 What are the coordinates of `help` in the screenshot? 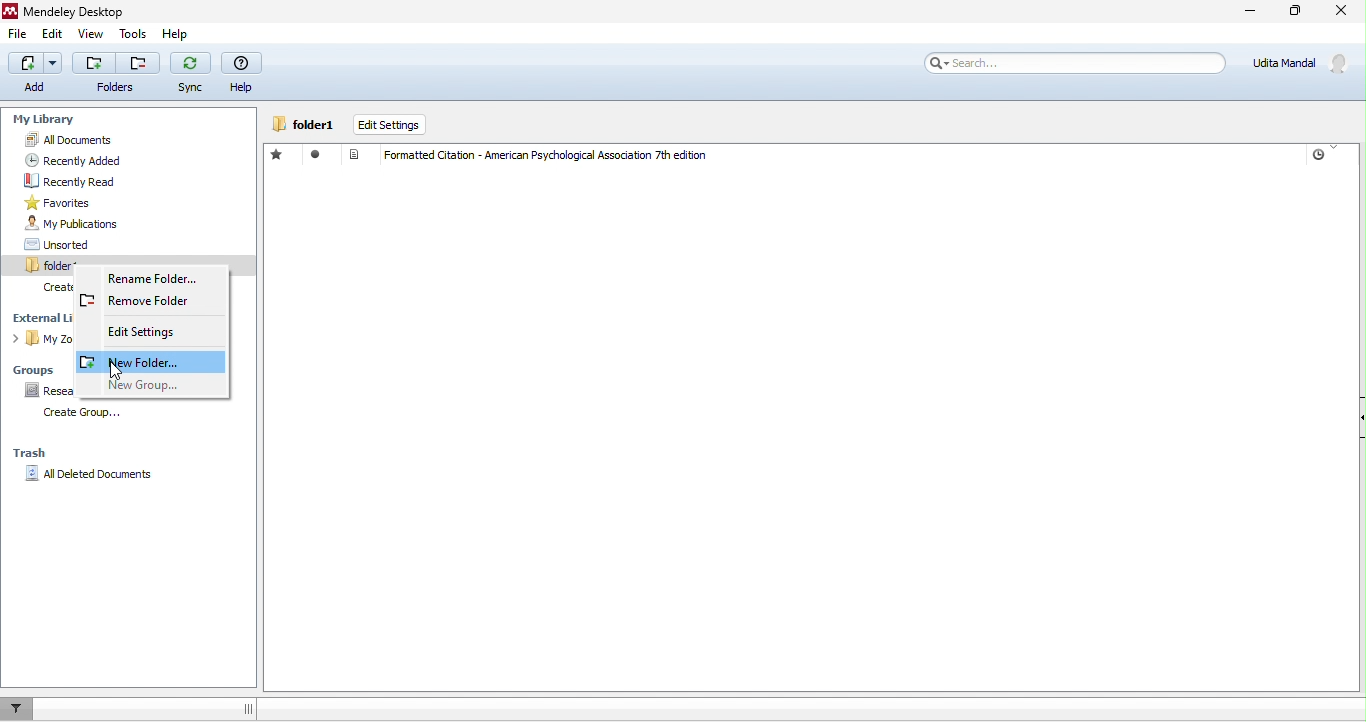 It's located at (242, 73).